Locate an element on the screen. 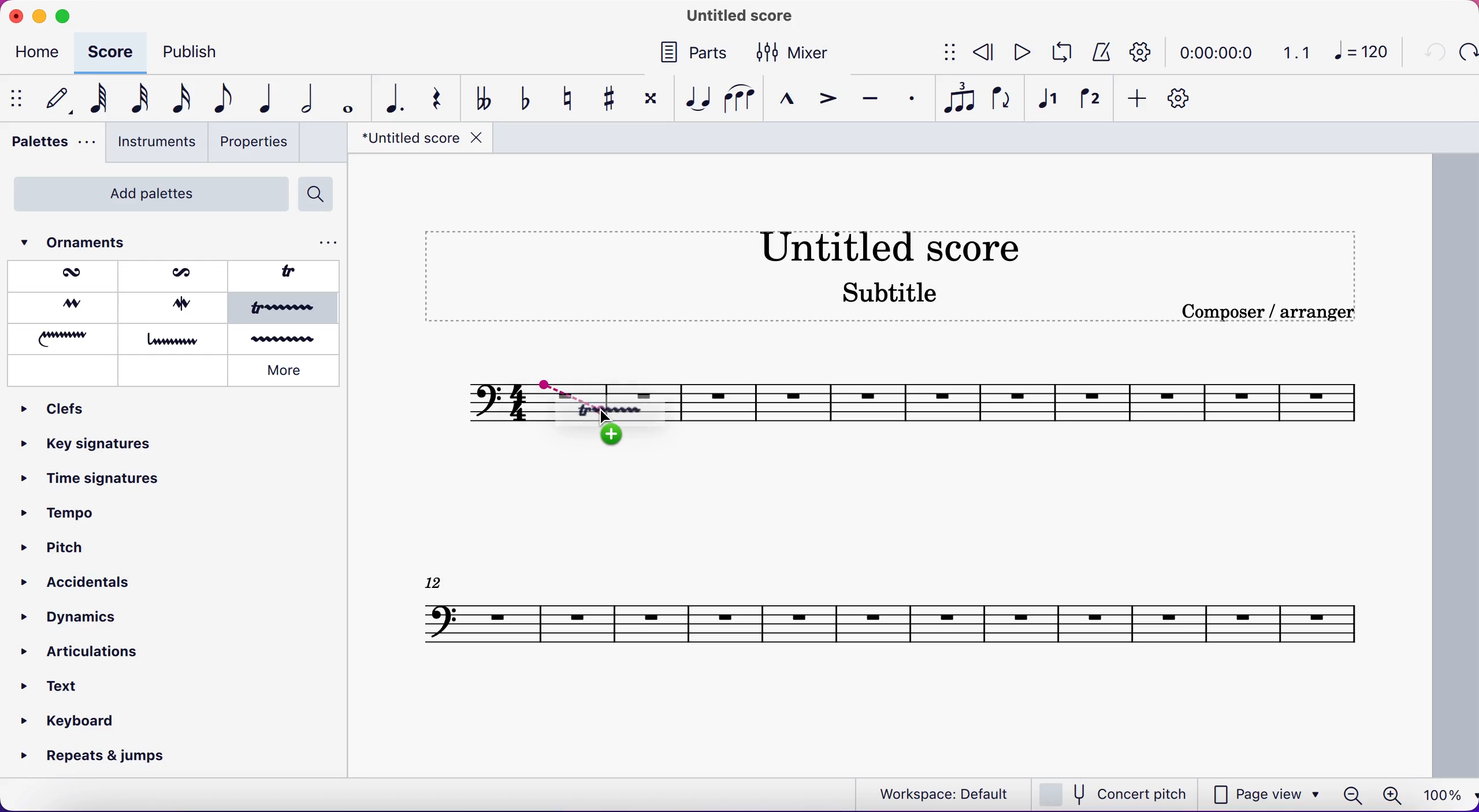 This screenshot has height=812, width=1479. play is located at coordinates (1021, 54).